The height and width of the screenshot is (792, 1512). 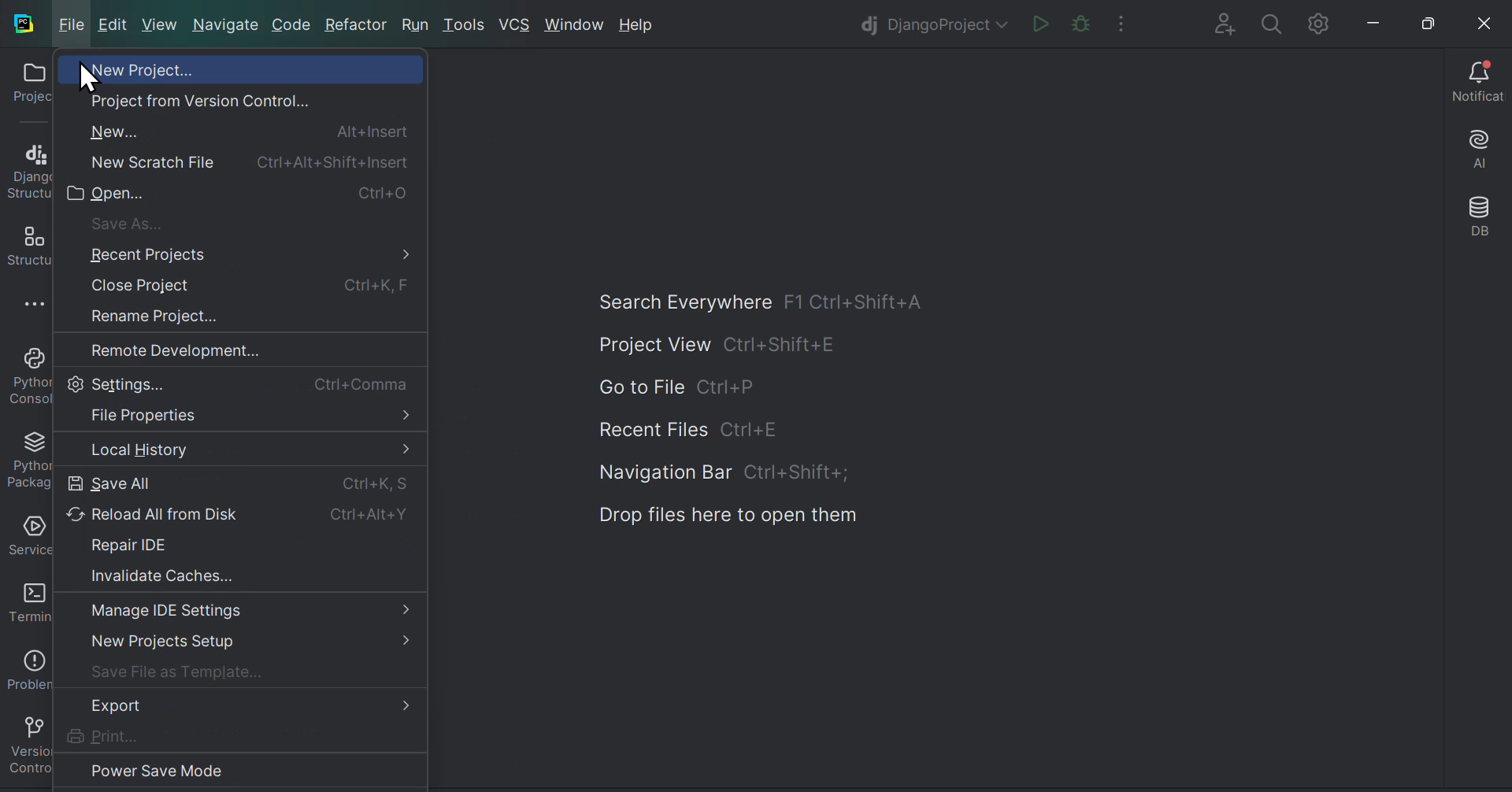 What do you see at coordinates (128, 224) in the screenshot?
I see `save as` at bounding box center [128, 224].